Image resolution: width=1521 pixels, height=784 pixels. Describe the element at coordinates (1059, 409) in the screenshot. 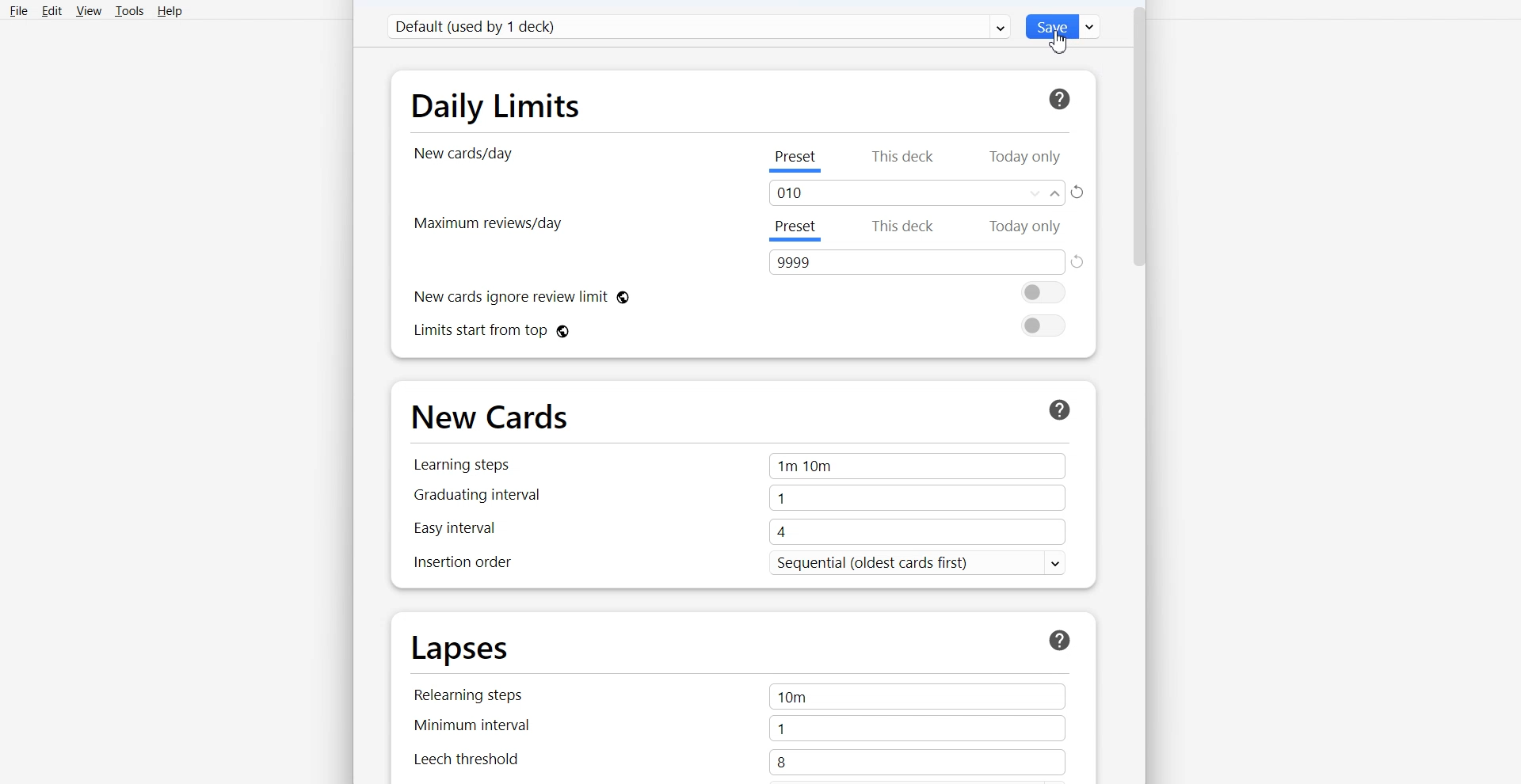

I see `More Info` at that location.